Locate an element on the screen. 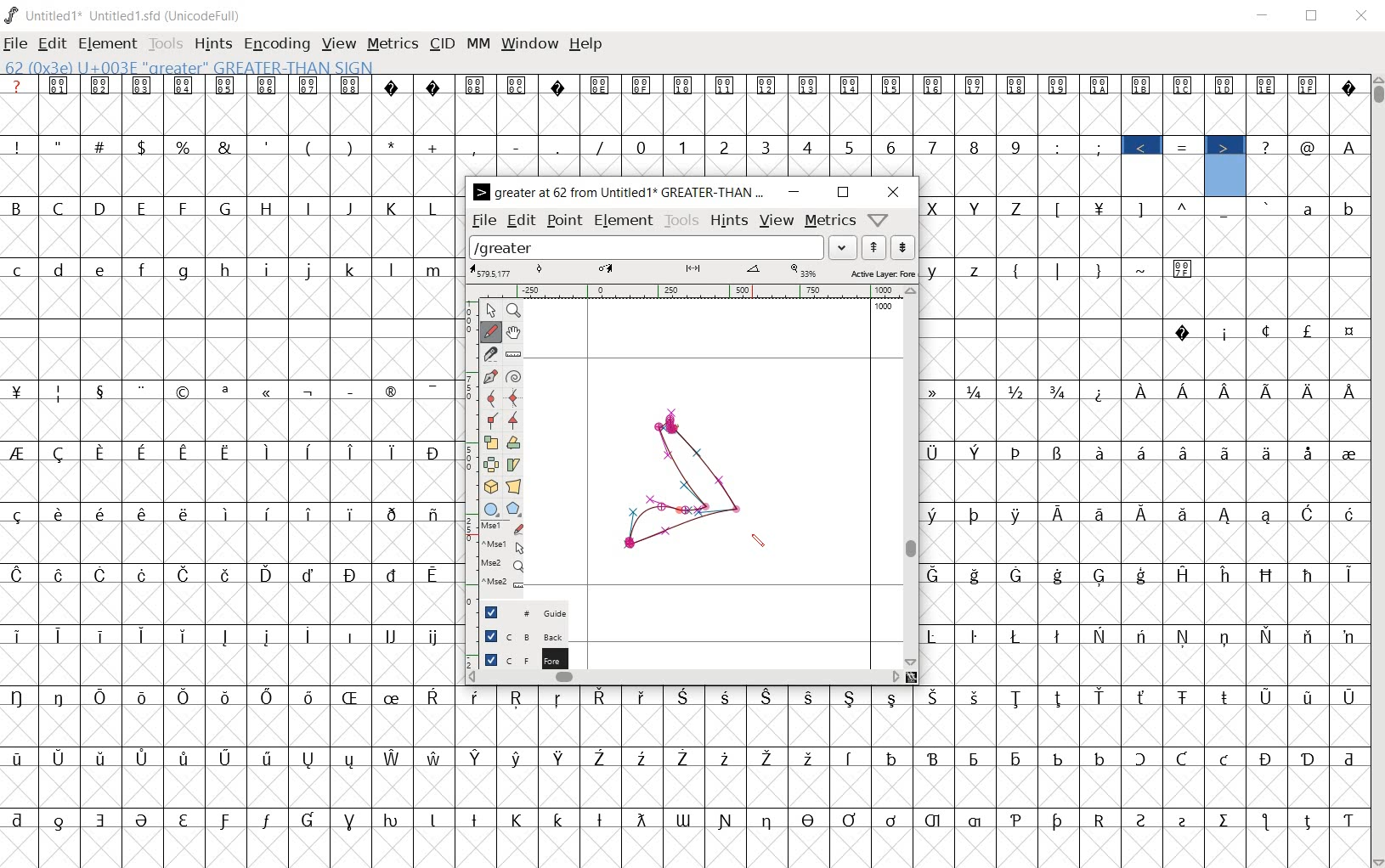  element is located at coordinates (109, 44).